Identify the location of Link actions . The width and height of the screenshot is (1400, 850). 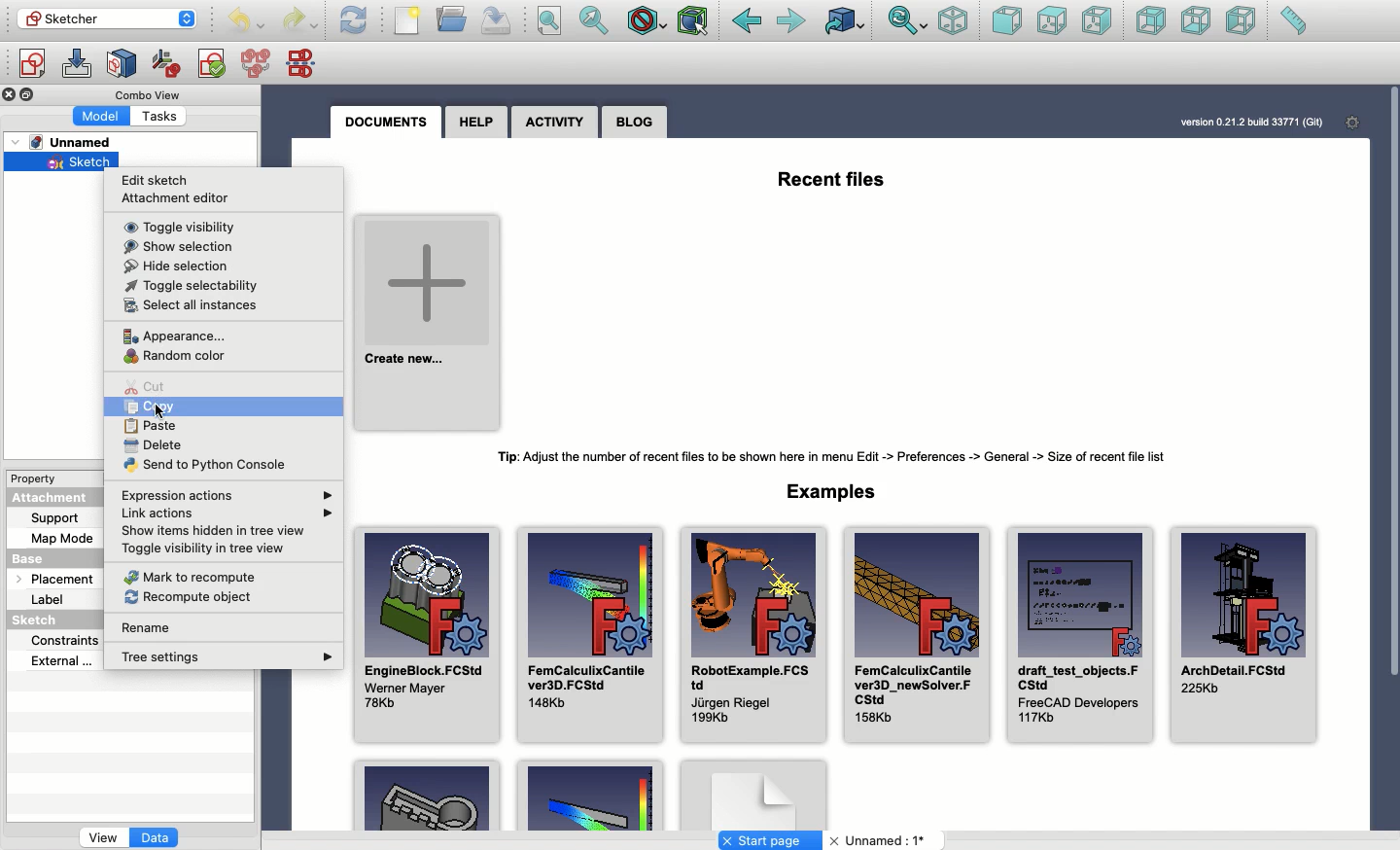
(229, 514).